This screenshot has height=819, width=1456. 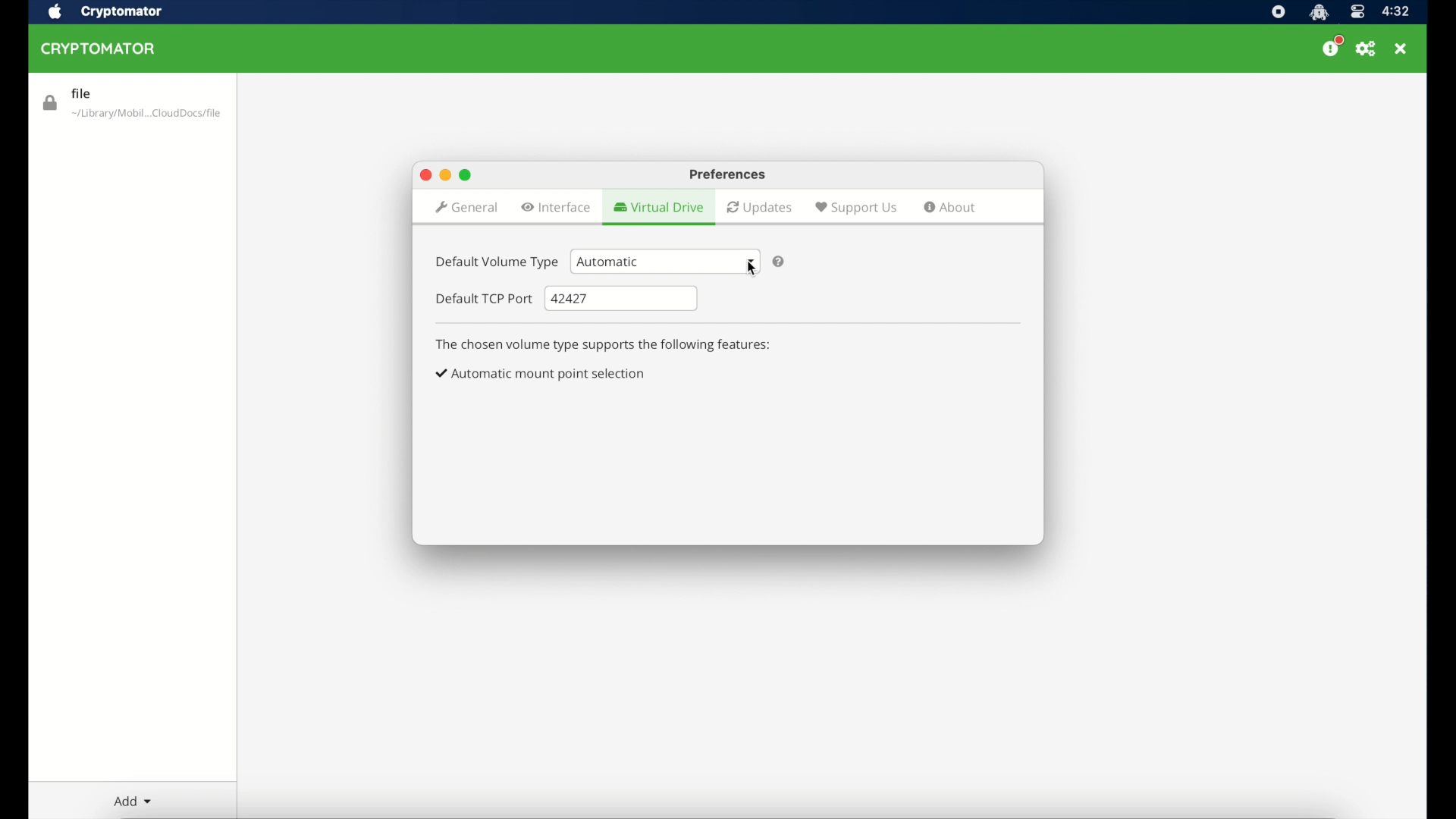 I want to click on close, so click(x=1401, y=49).